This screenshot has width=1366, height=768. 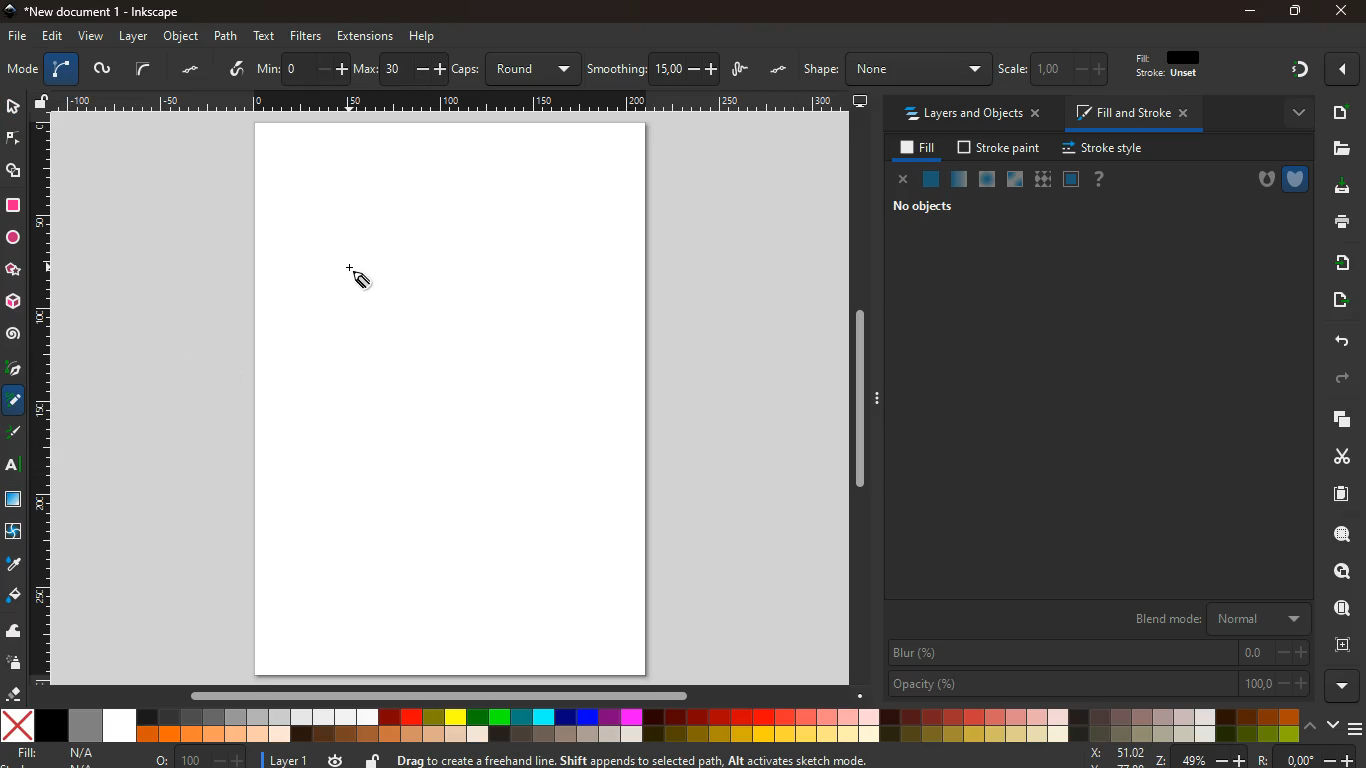 What do you see at coordinates (15, 400) in the screenshot?
I see `pencil took` at bounding box center [15, 400].